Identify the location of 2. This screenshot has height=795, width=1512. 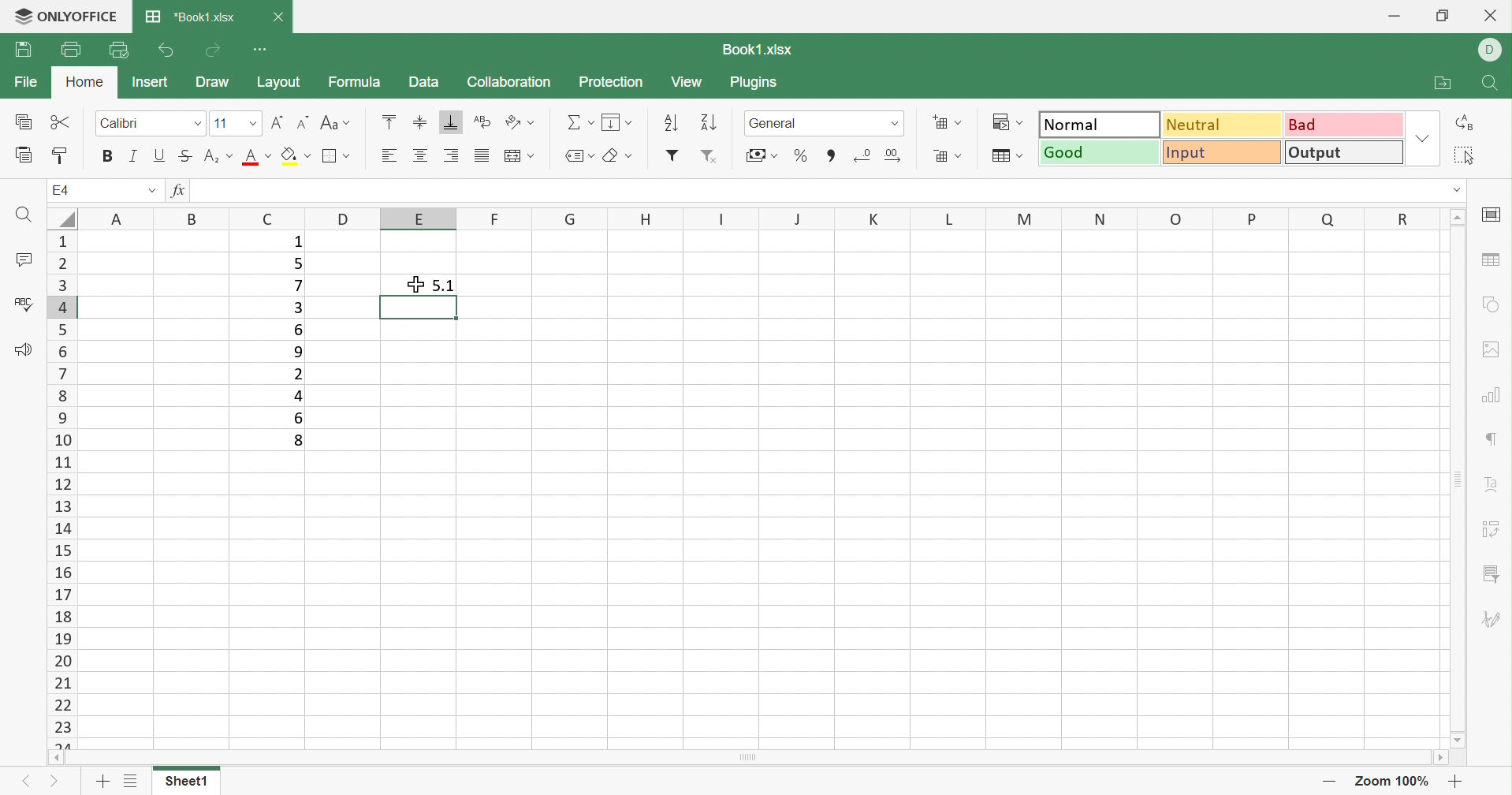
(299, 375).